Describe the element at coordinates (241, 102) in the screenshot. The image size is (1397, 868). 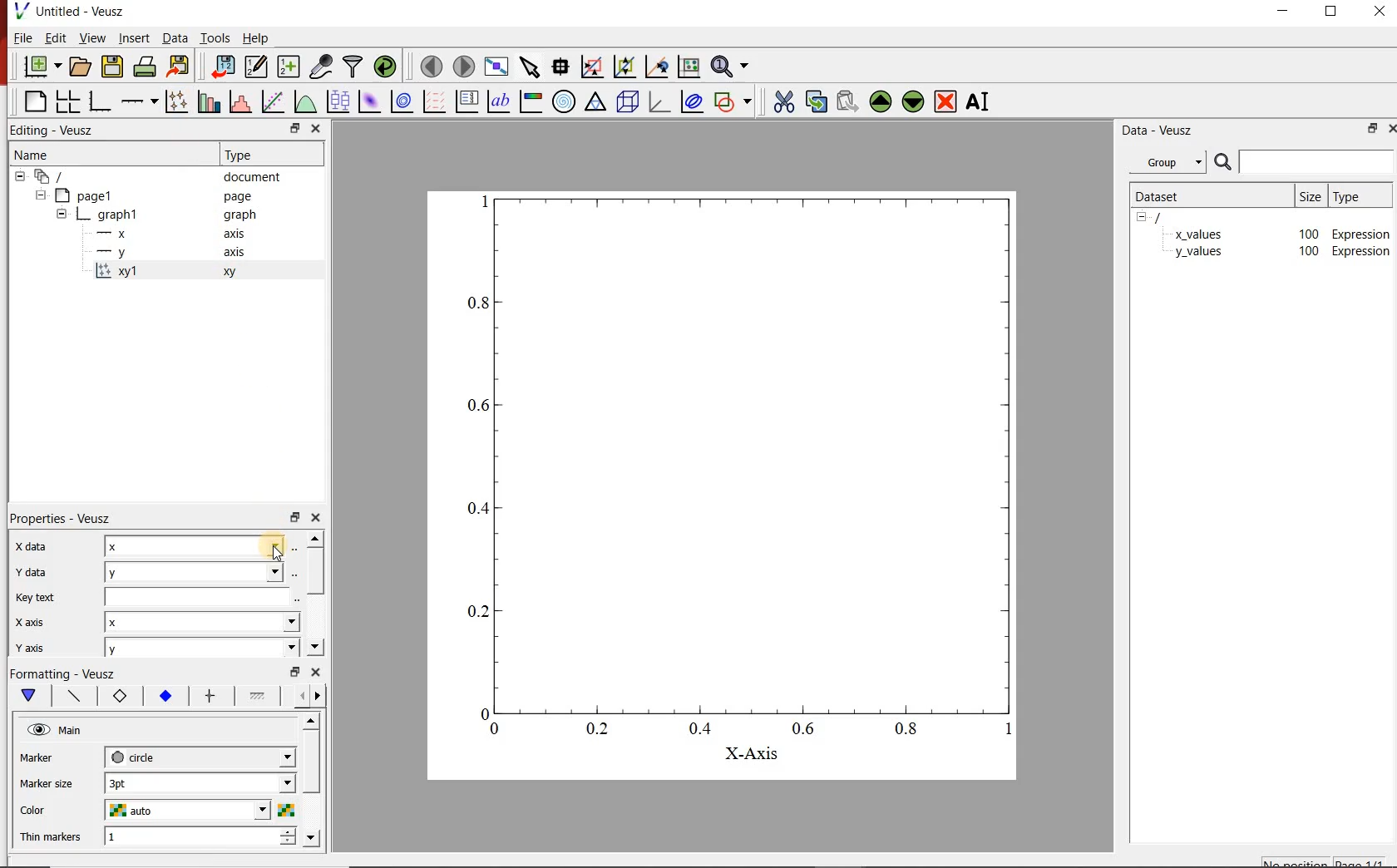
I see `histogram of a dataset` at that location.